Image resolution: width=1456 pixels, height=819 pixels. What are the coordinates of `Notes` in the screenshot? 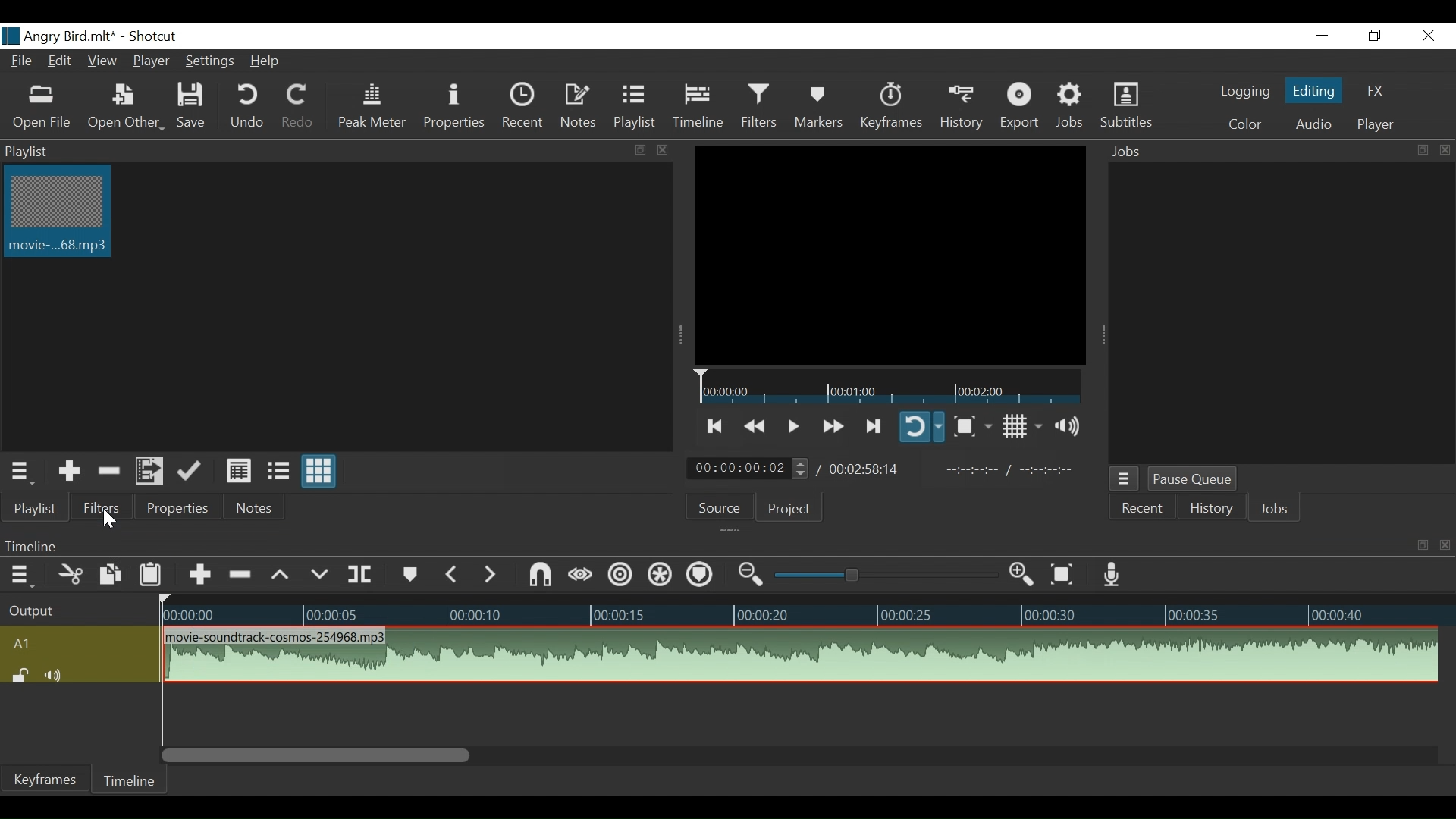 It's located at (580, 106).